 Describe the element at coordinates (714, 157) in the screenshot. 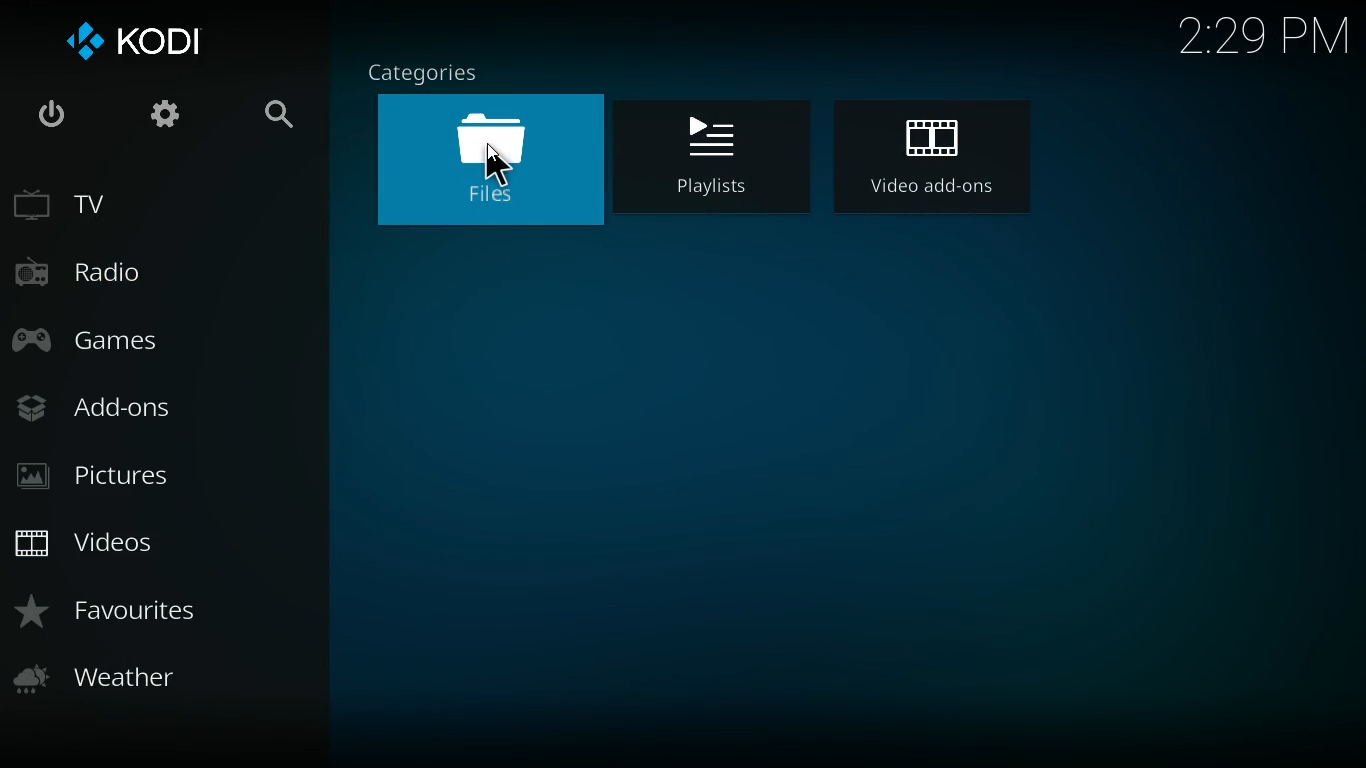

I see `playlist` at that location.